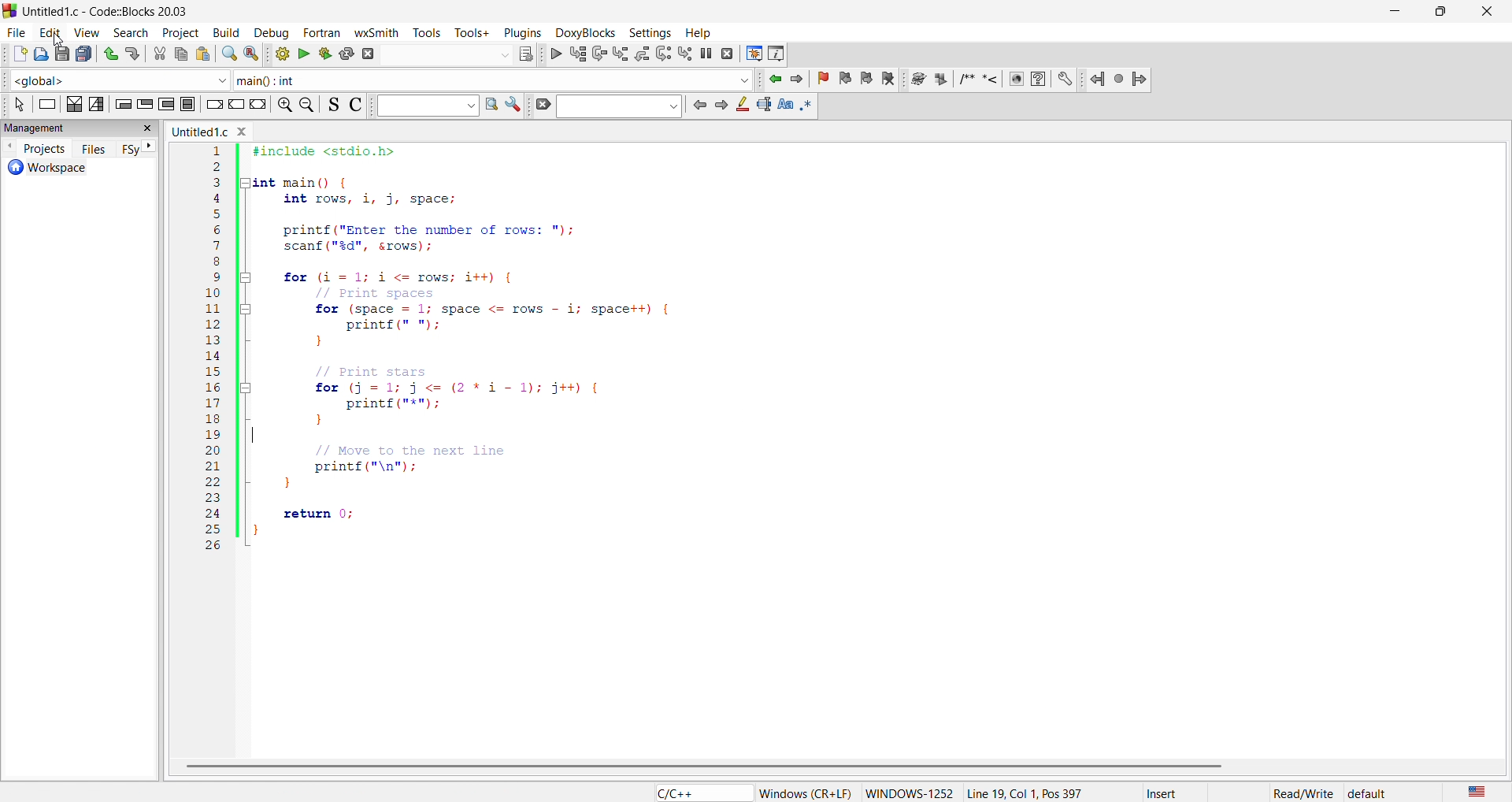 The image size is (1512, 802). Describe the element at coordinates (1120, 79) in the screenshot. I see `stop` at that location.